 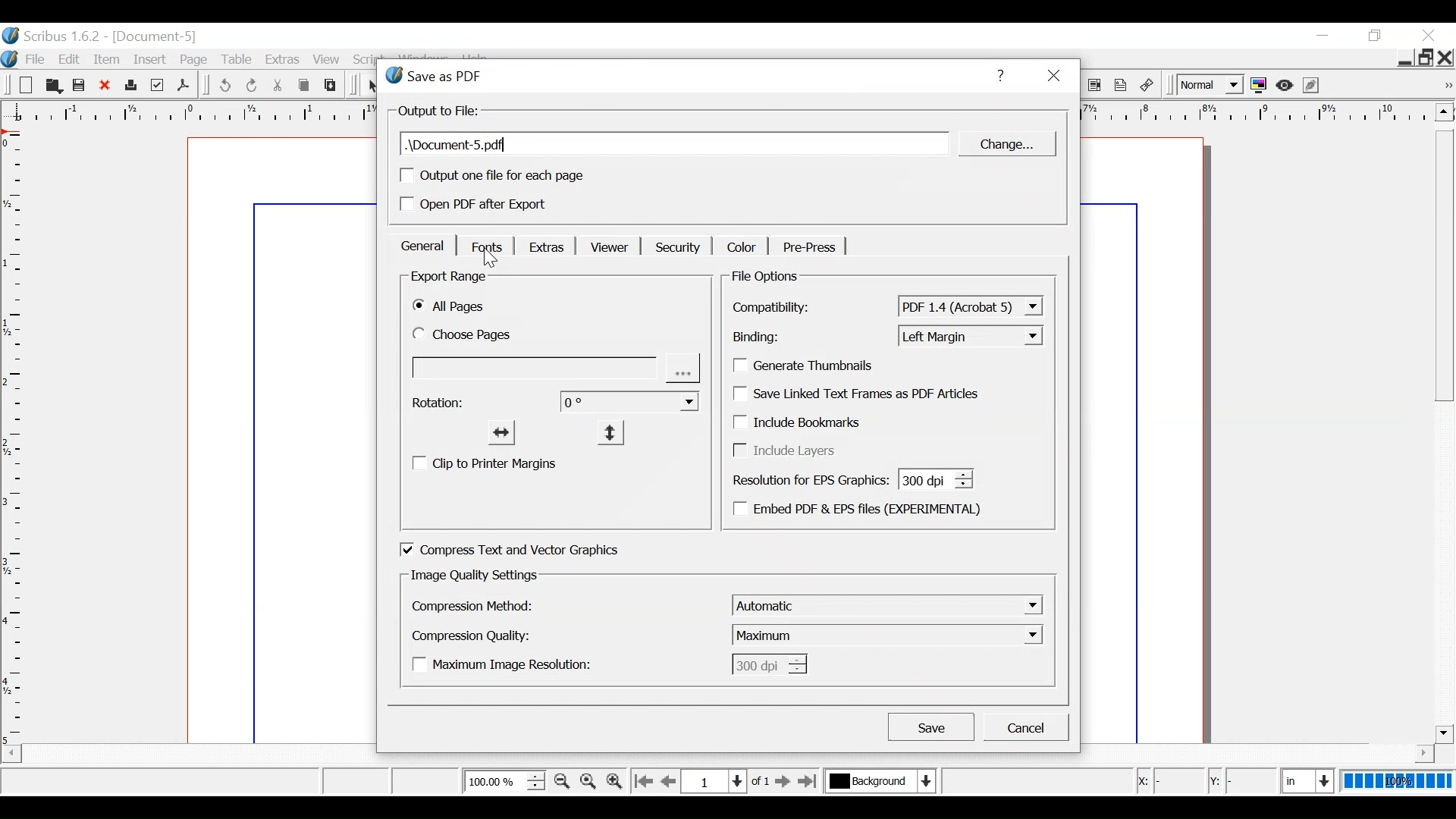 I want to click on Cancel, so click(x=1026, y=727).